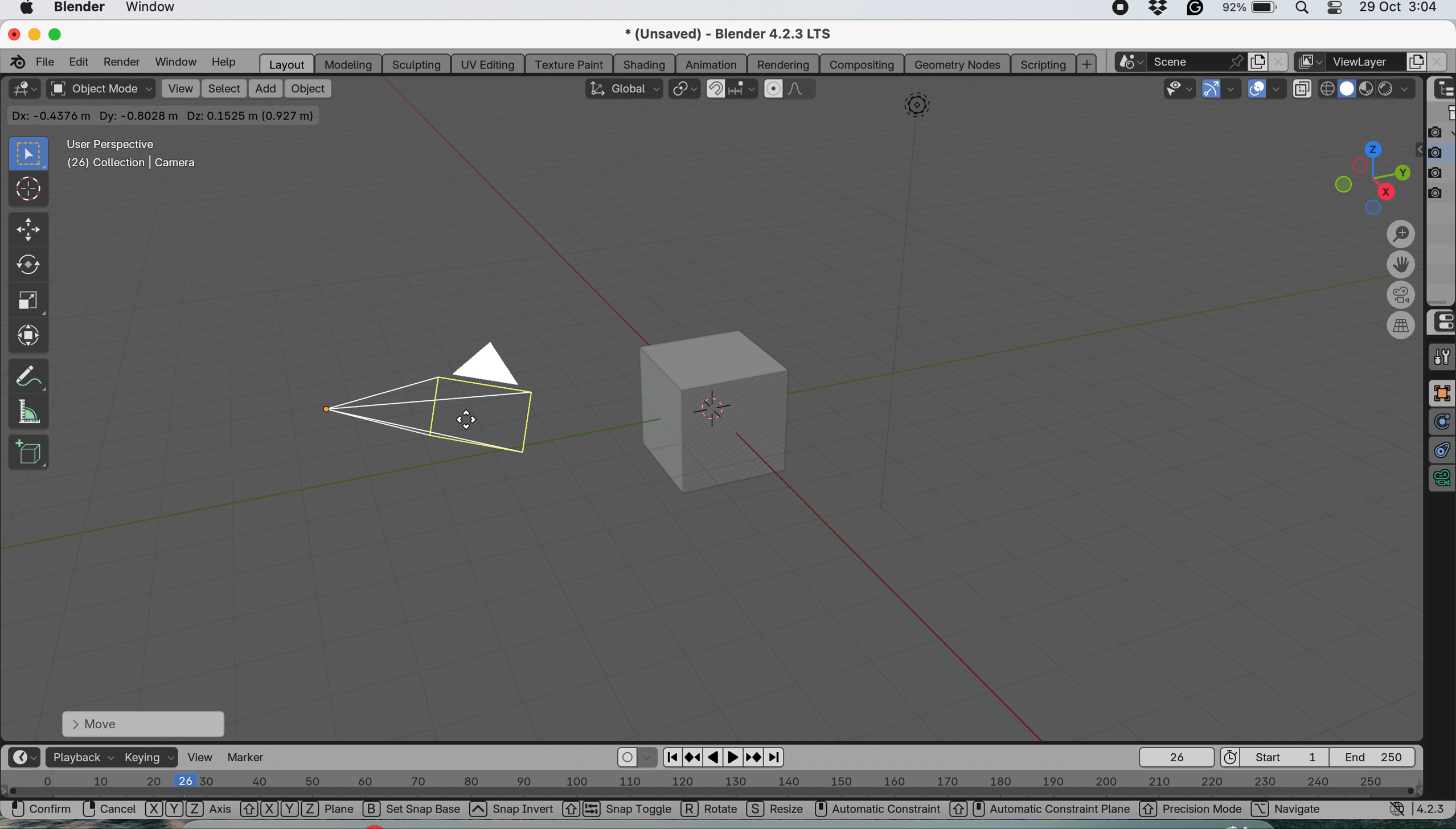 The width and height of the screenshot is (1456, 829). Describe the element at coordinates (109, 809) in the screenshot. I see `cancel` at that location.